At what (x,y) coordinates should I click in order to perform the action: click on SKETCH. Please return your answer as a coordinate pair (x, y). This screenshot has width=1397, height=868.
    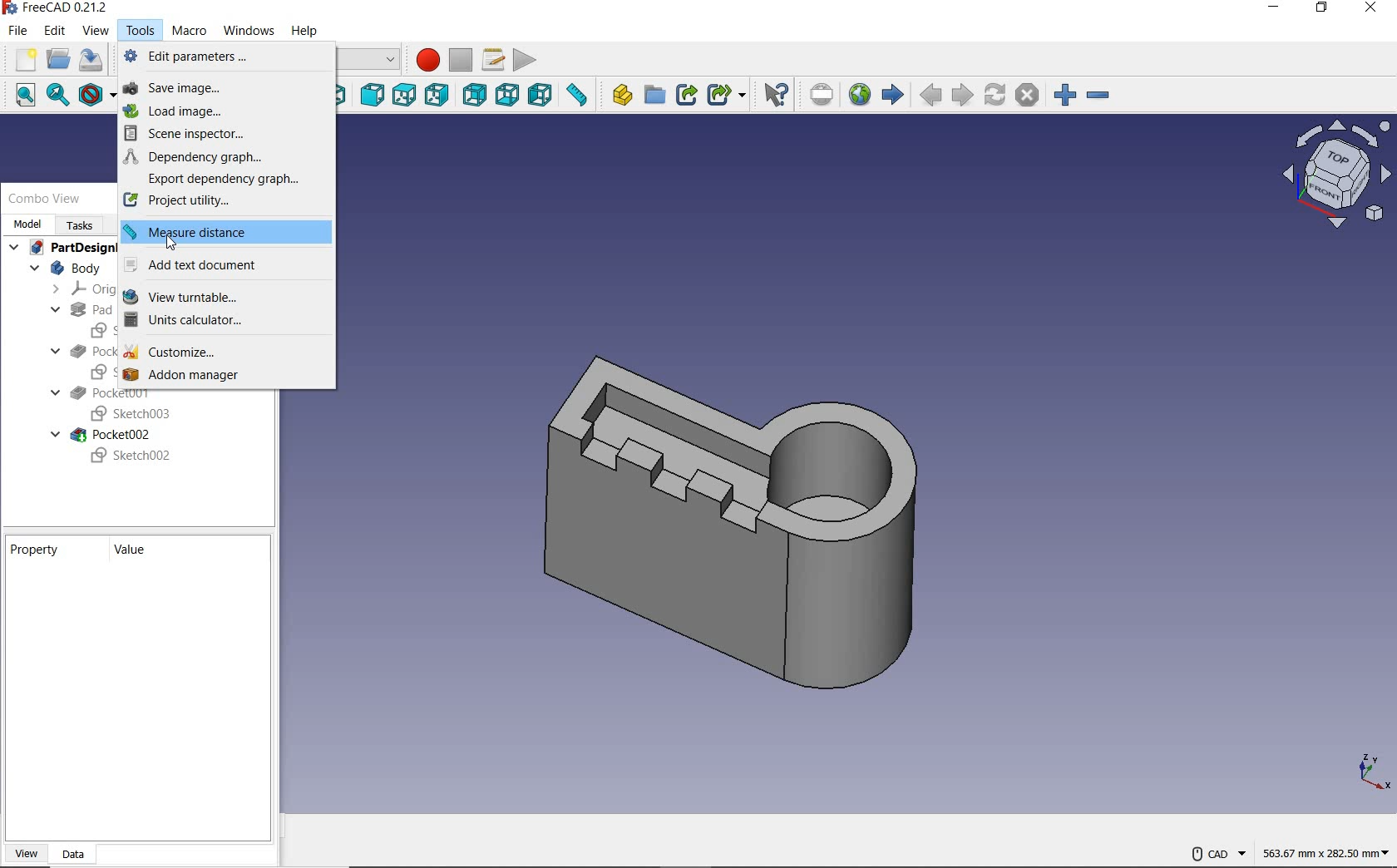
    Looking at the image, I should click on (99, 330).